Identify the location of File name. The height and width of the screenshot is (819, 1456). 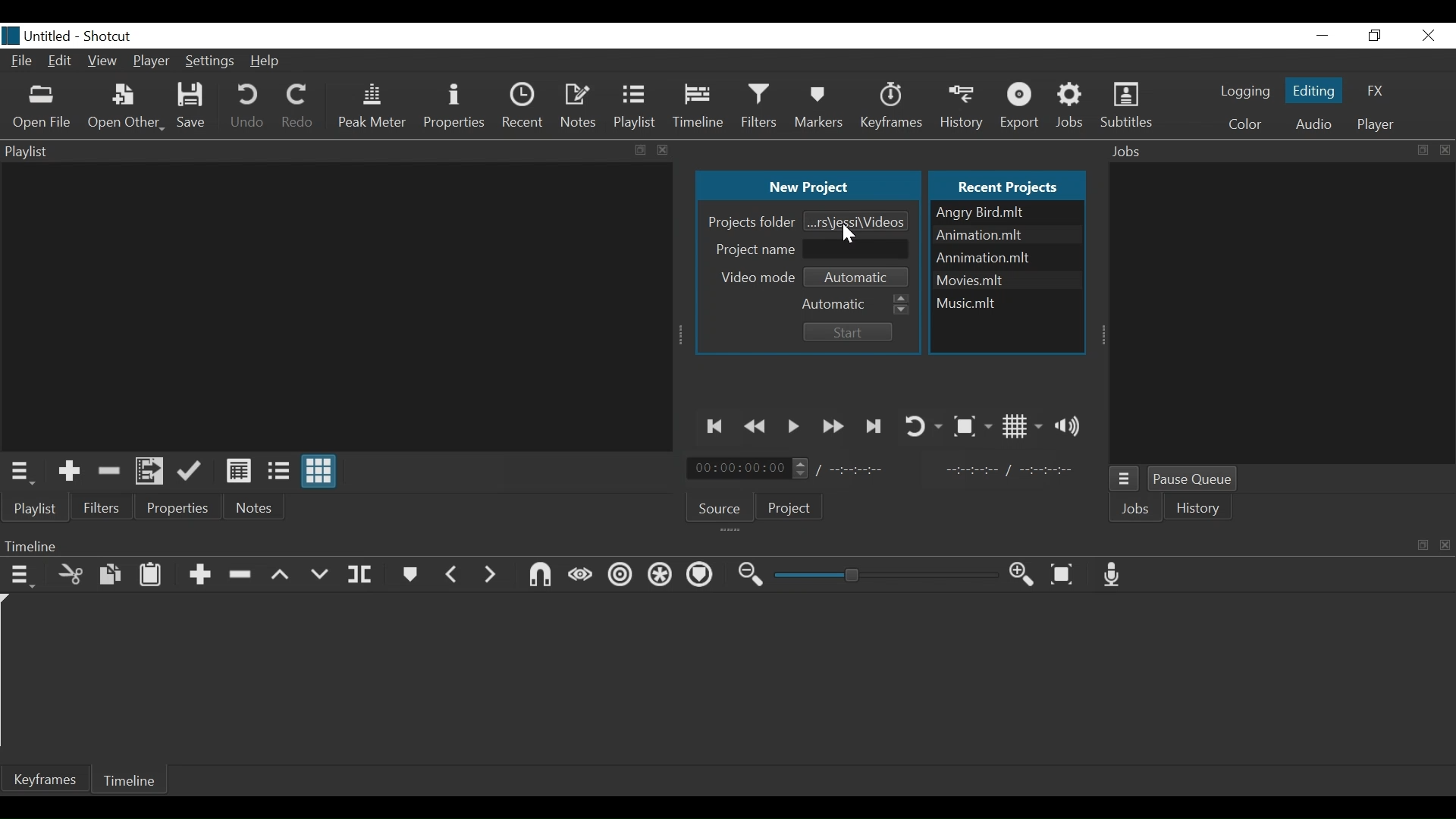
(1008, 212).